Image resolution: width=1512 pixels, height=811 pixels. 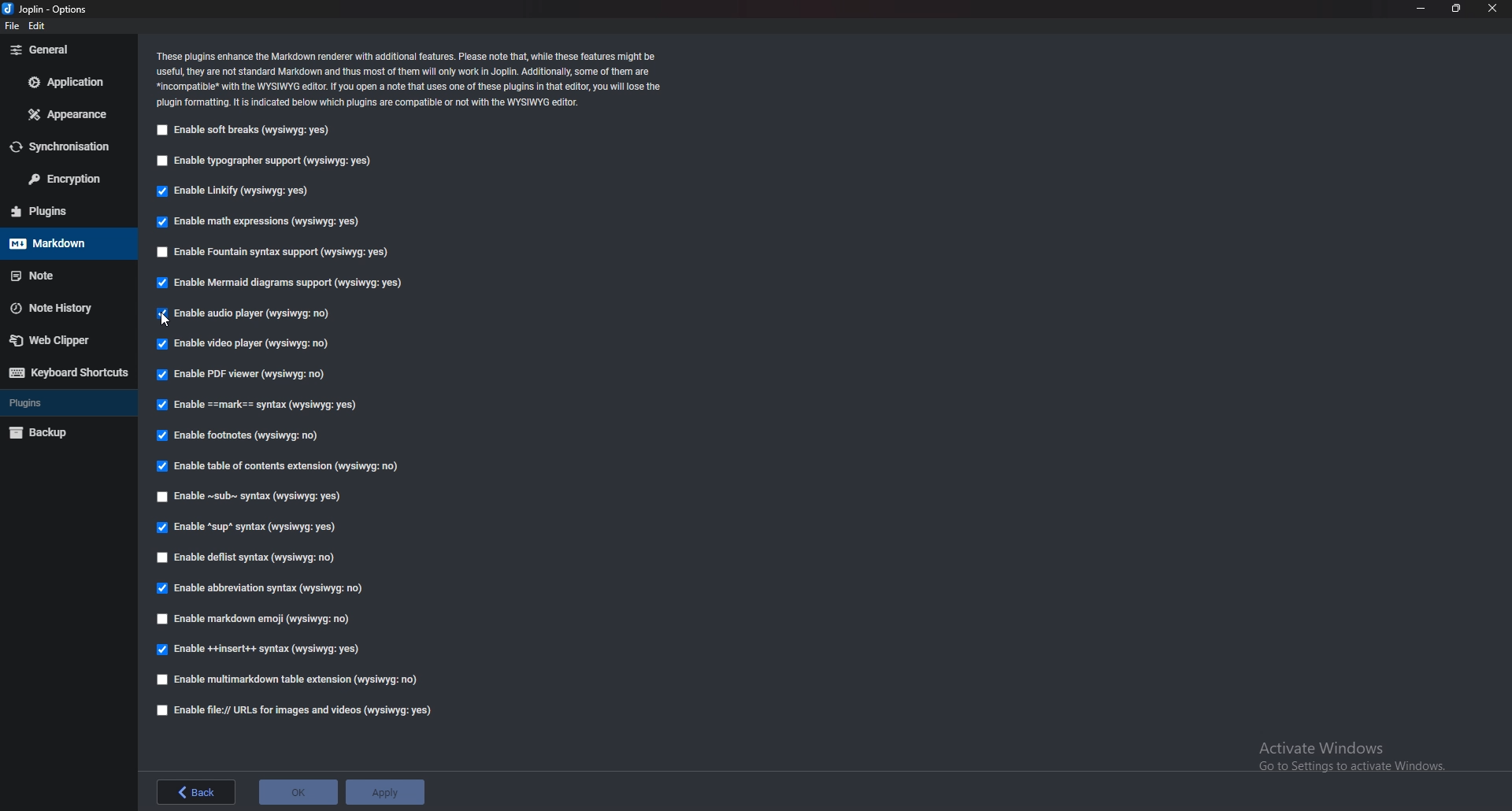 What do you see at coordinates (59, 49) in the screenshot?
I see `General` at bounding box center [59, 49].